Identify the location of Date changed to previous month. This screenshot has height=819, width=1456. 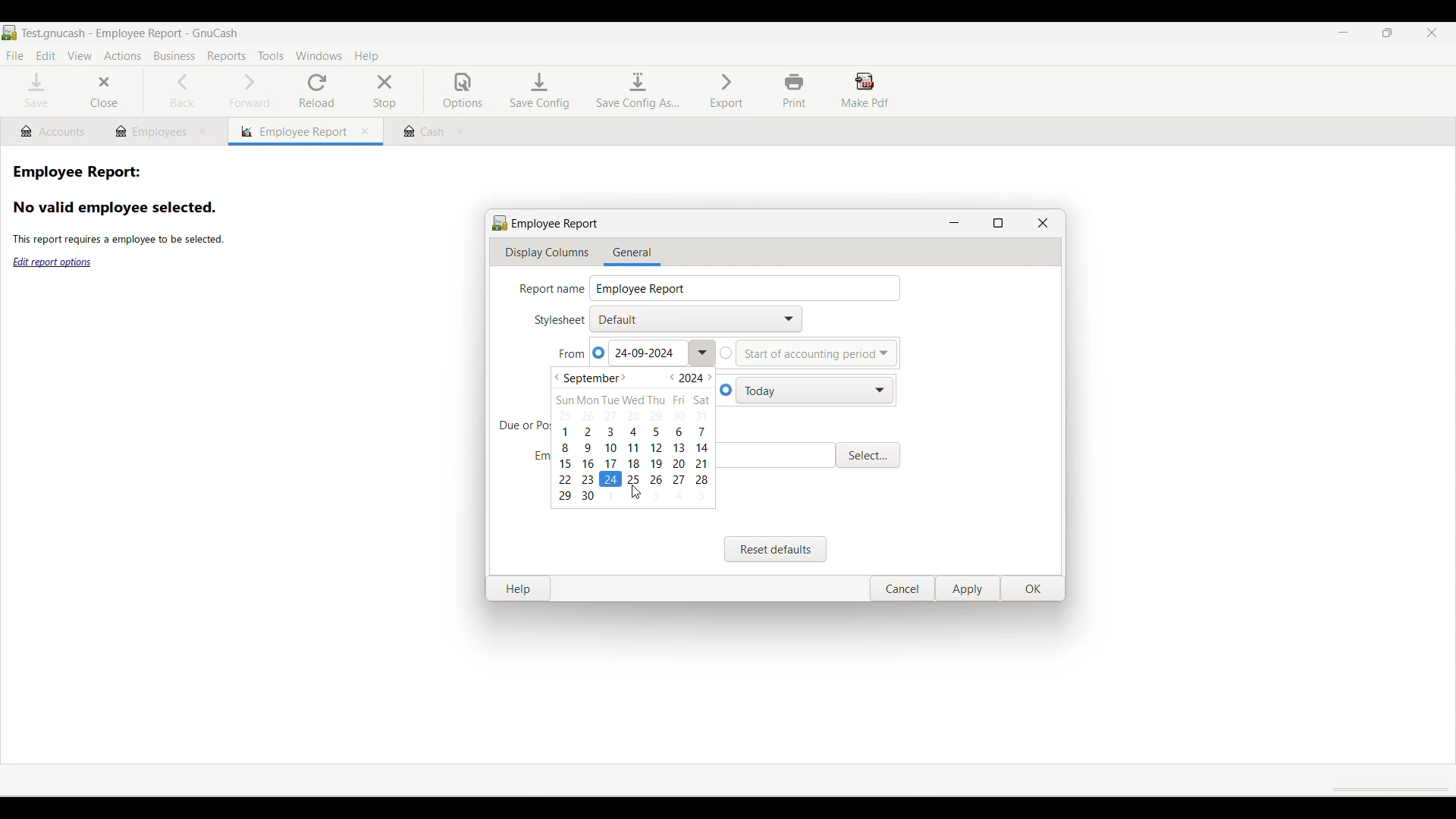
(645, 353).